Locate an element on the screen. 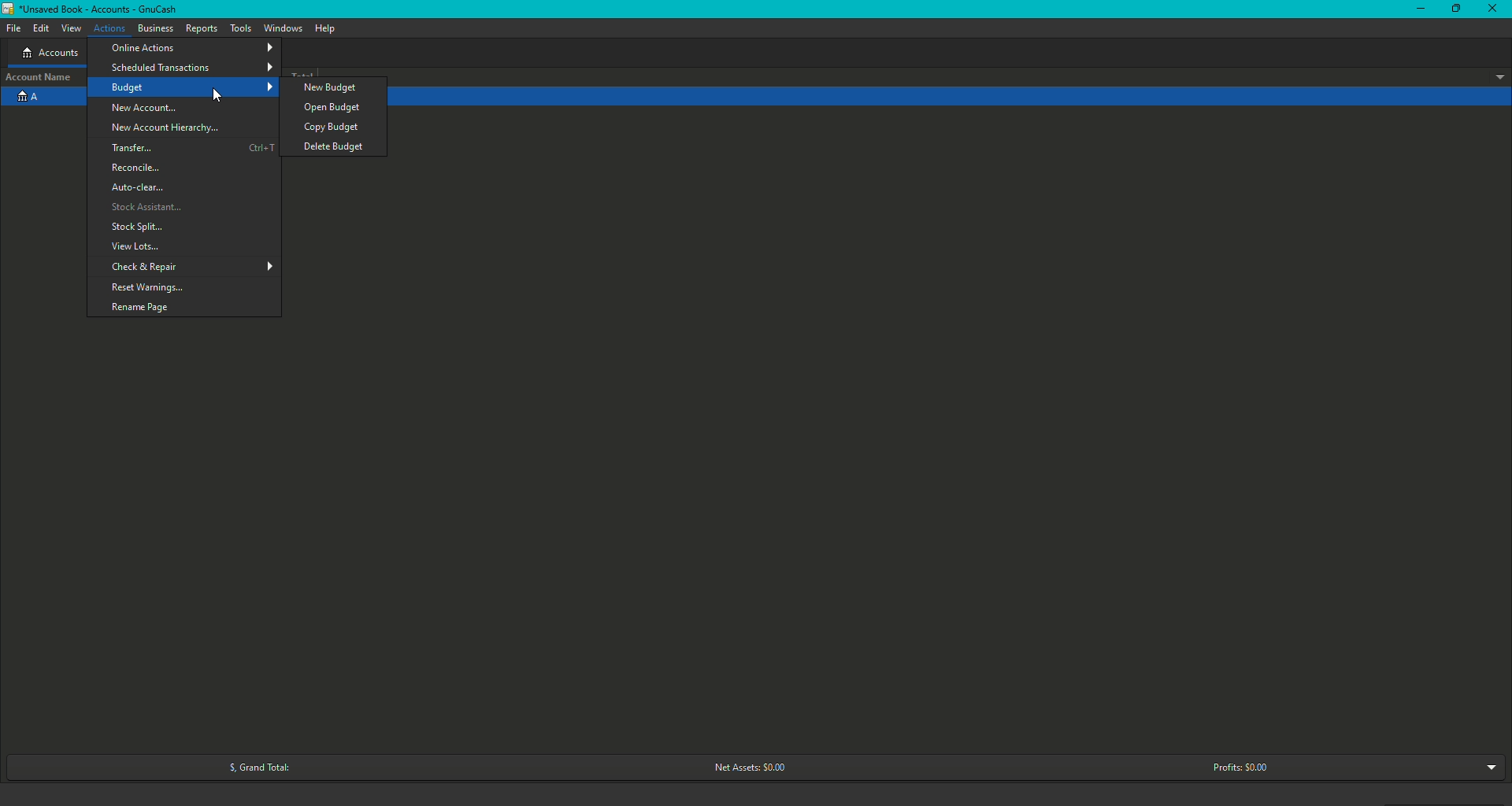 The image size is (1512, 806). Profits is located at coordinates (1245, 767).